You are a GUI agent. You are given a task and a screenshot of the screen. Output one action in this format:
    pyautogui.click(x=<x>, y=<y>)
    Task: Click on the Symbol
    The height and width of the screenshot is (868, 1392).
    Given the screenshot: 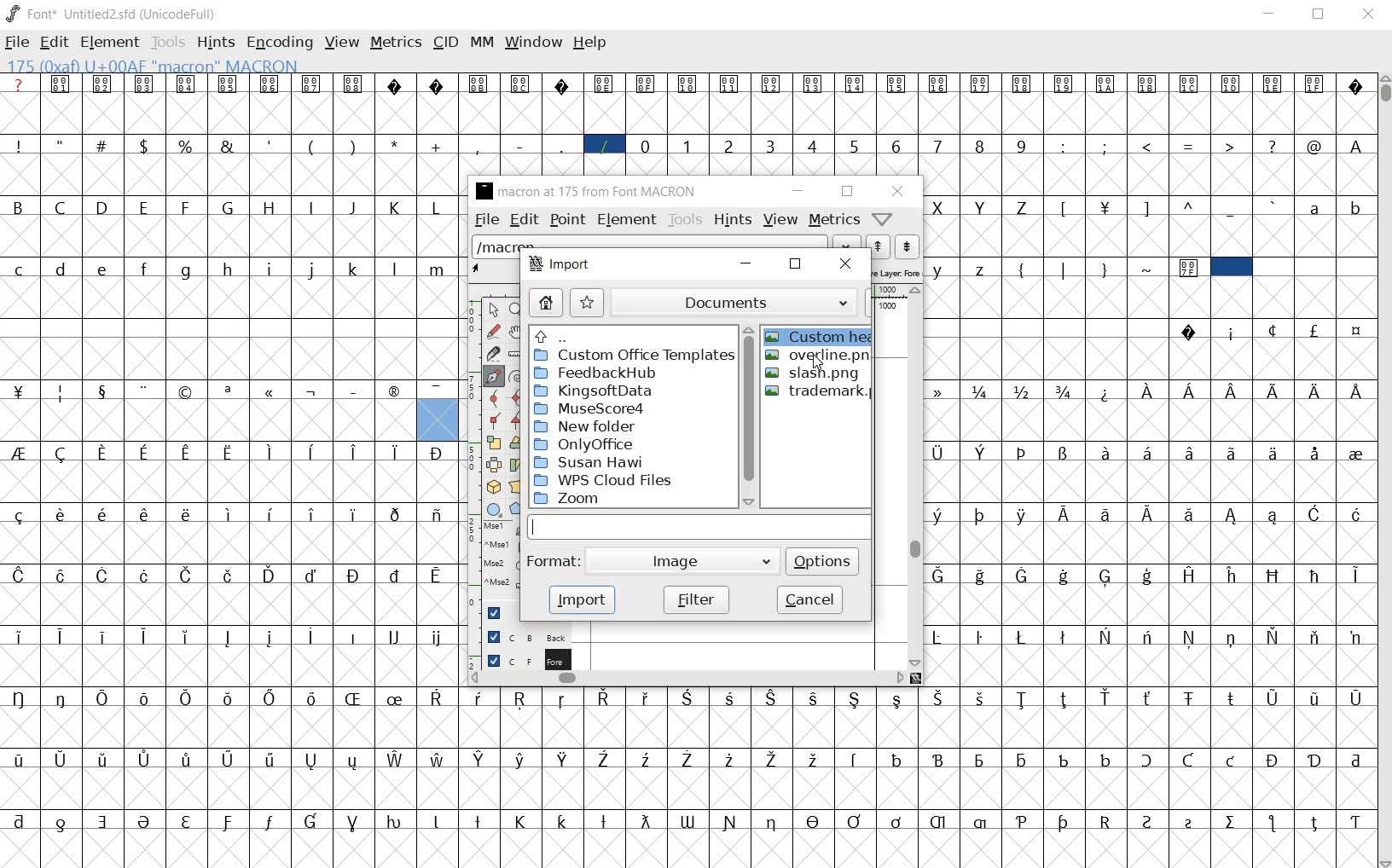 What is the action you would take?
    pyautogui.click(x=1066, y=391)
    